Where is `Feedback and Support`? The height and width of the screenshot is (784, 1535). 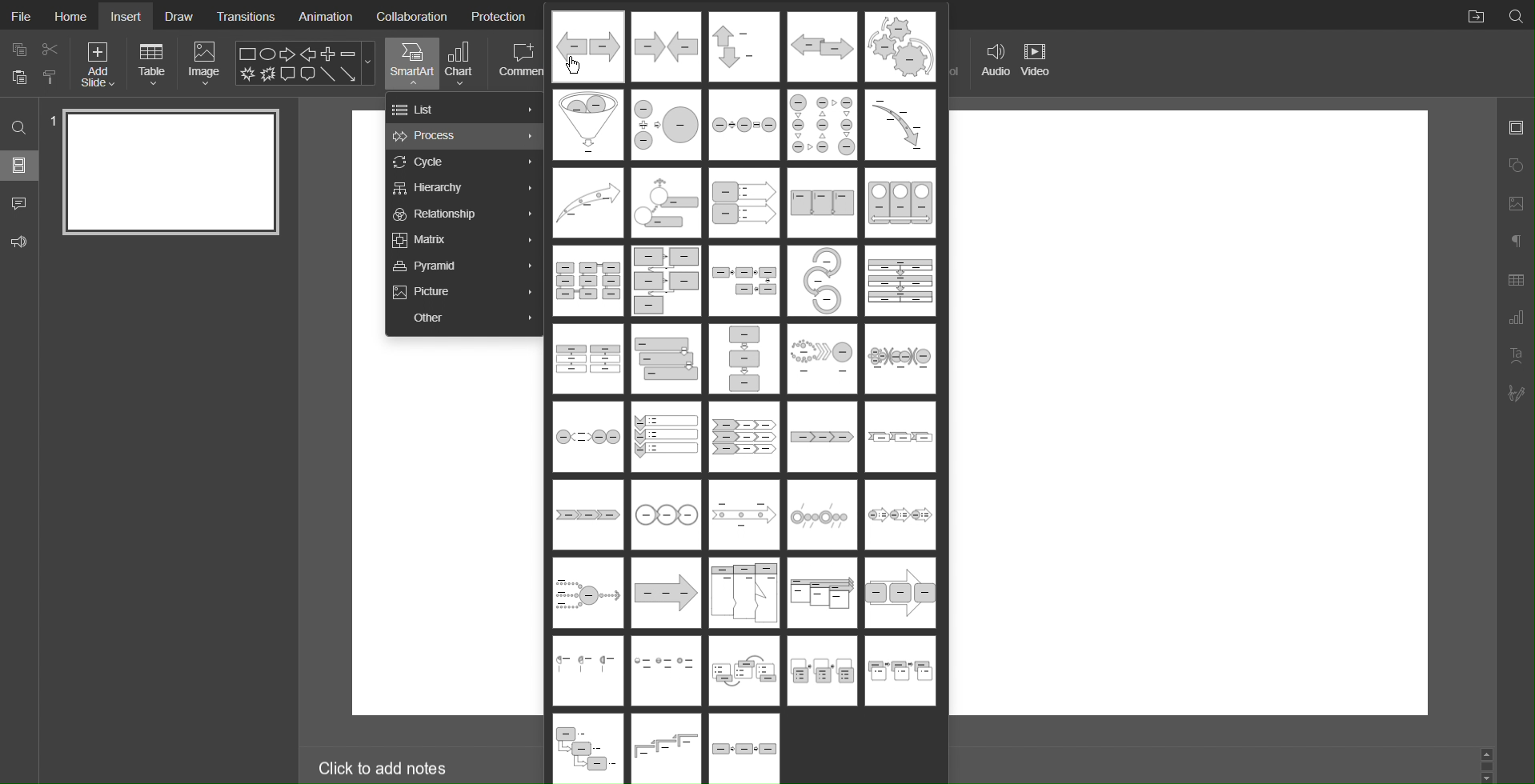
Feedback and Support is located at coordinates (20, 239).